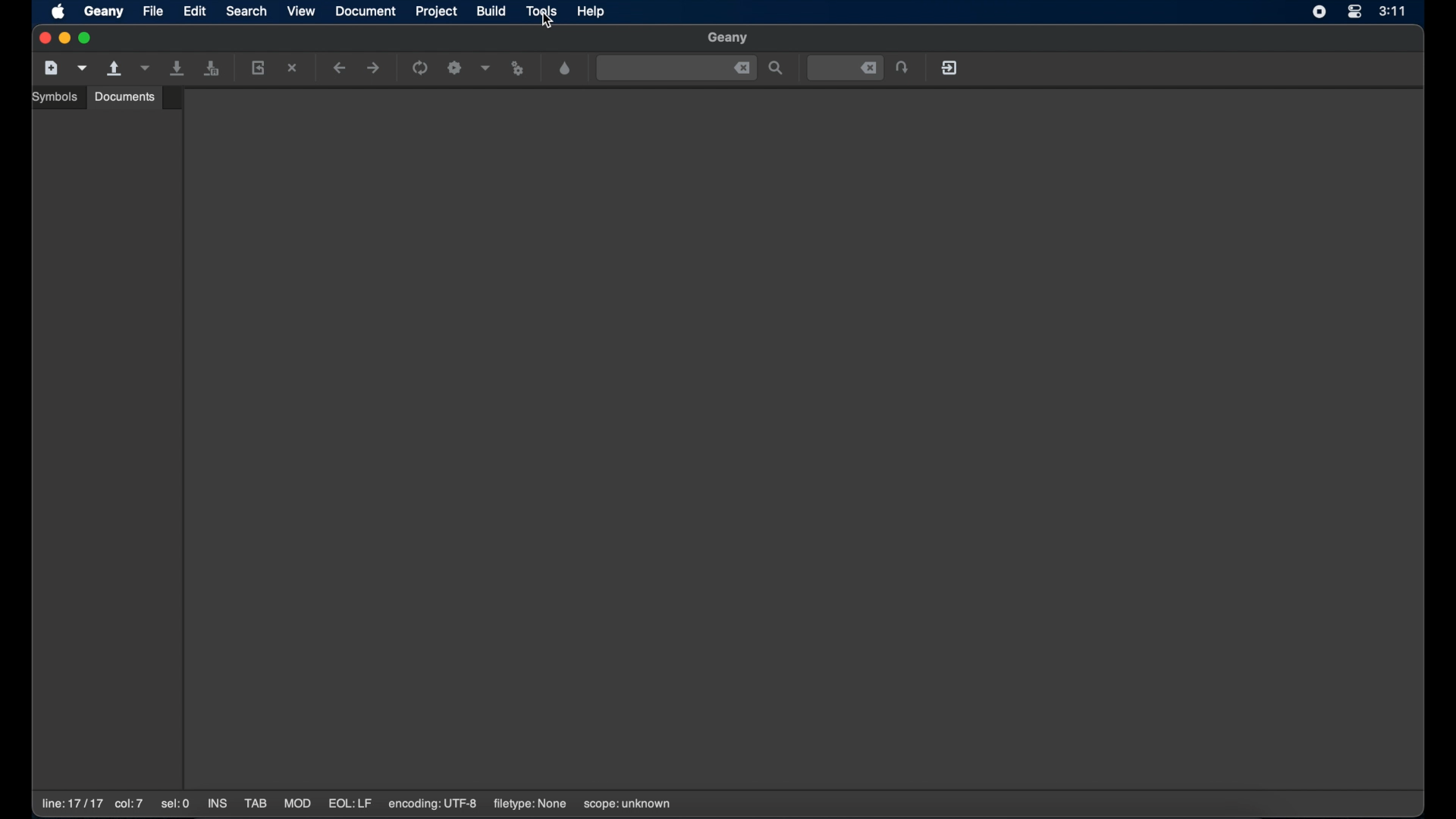 The height and width of the screenshot is (819, 1456). I want to click on quit geany, so click(951, 67).